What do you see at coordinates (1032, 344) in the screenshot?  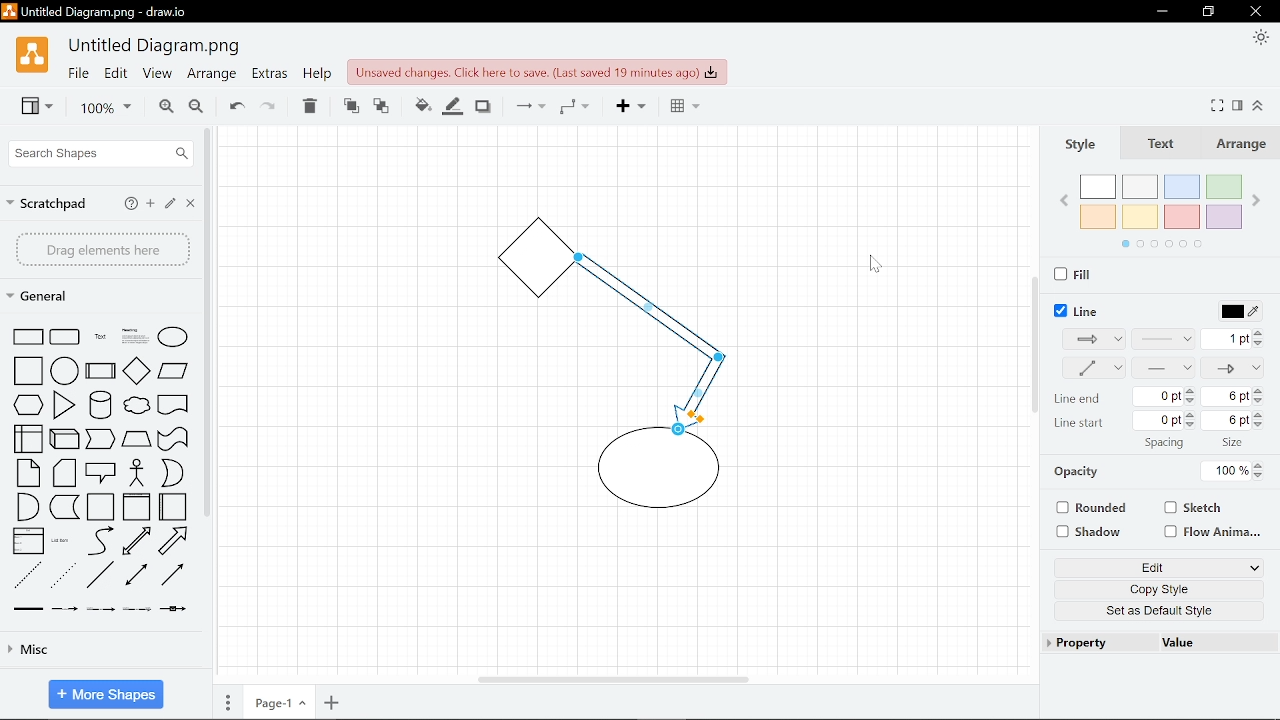 I see `scroll bar` at bounding box center [1032, 344].